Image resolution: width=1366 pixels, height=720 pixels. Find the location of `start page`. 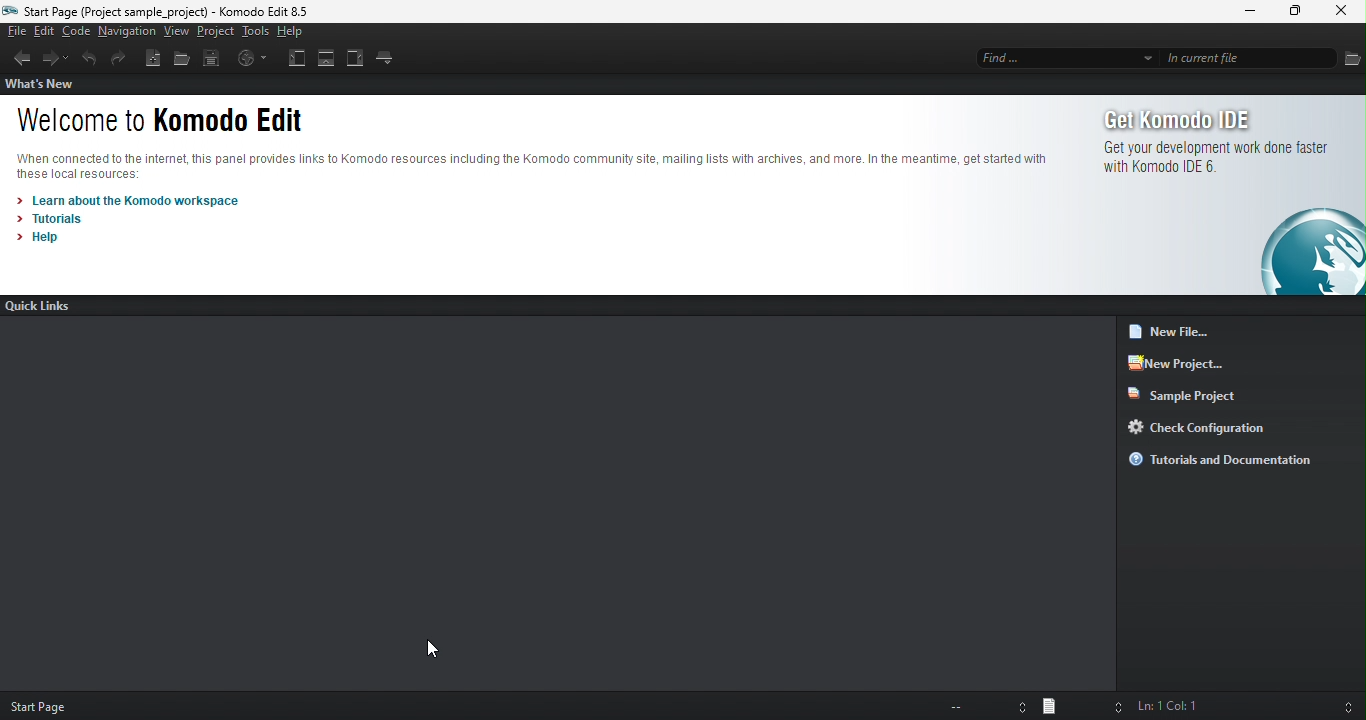

start page is located at coordinates (48, 708).